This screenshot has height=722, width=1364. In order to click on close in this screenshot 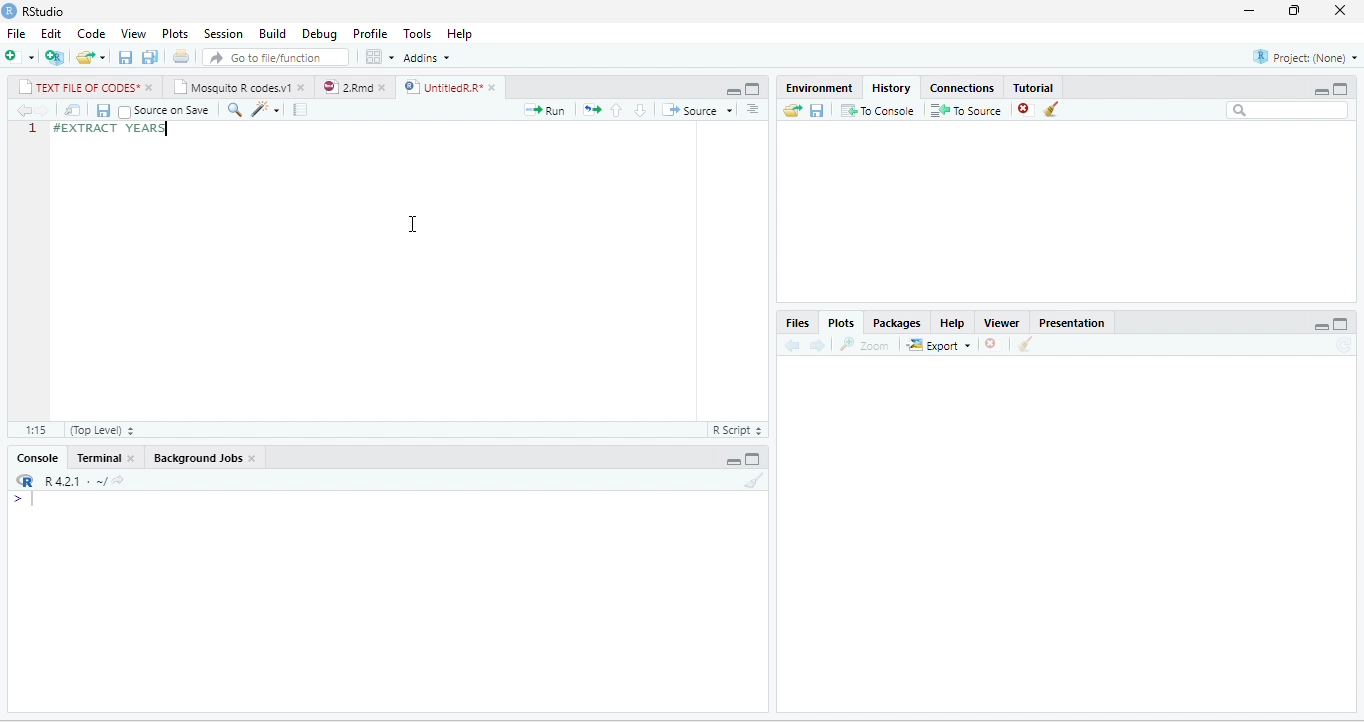, I will do `click(385, 87)`.